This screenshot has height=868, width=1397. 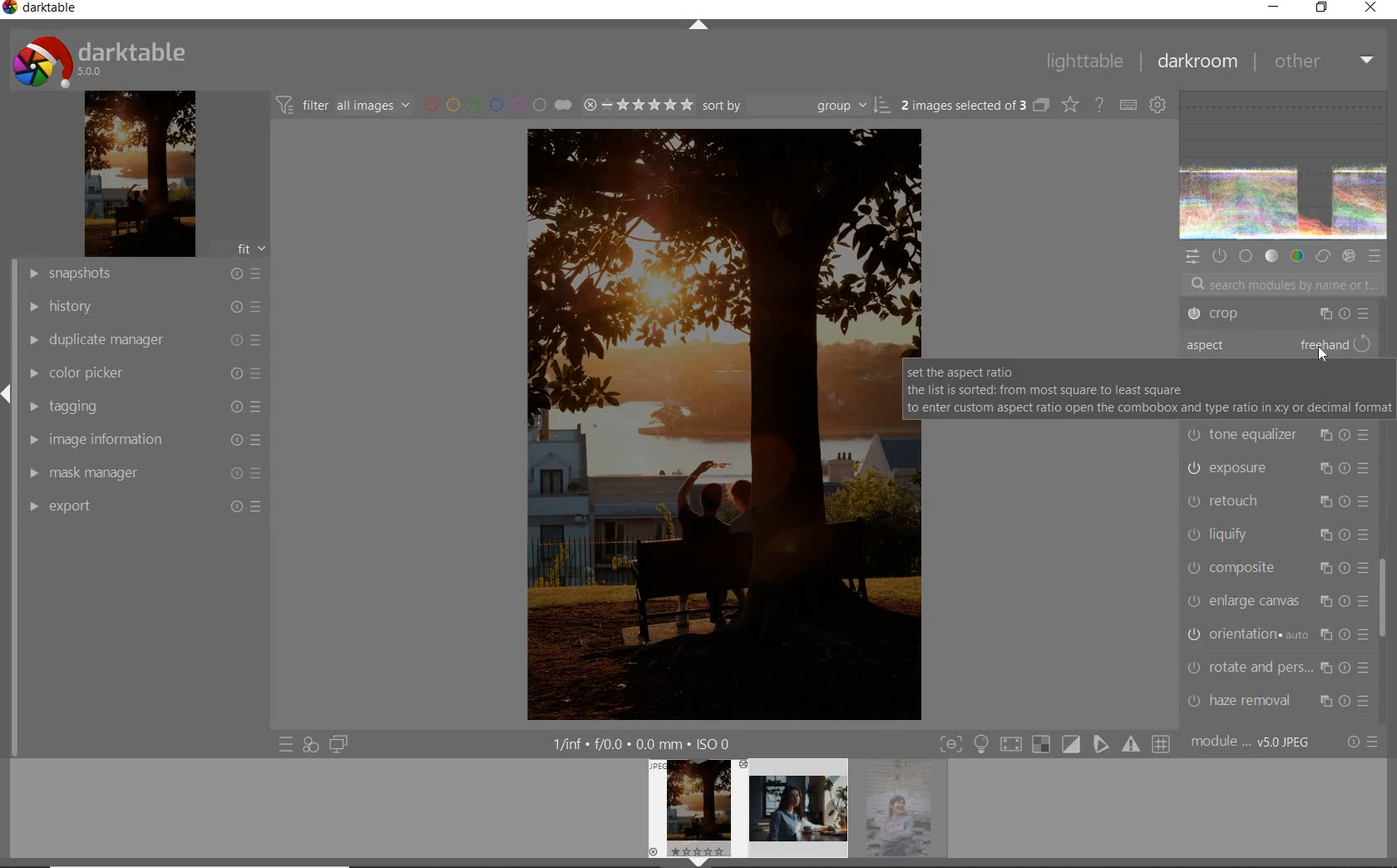 I want to click on color picker, so click(x=142, y=374).